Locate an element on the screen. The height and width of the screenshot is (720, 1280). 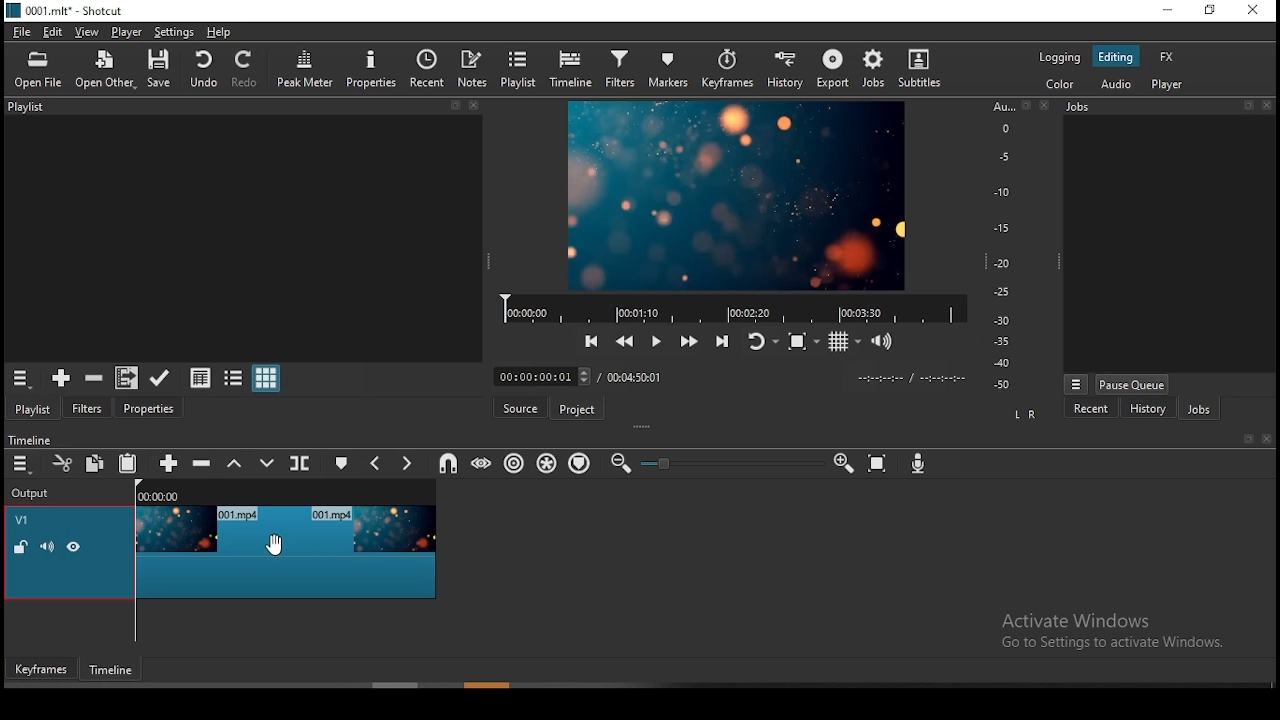
history is located at coordinates (780, 68).